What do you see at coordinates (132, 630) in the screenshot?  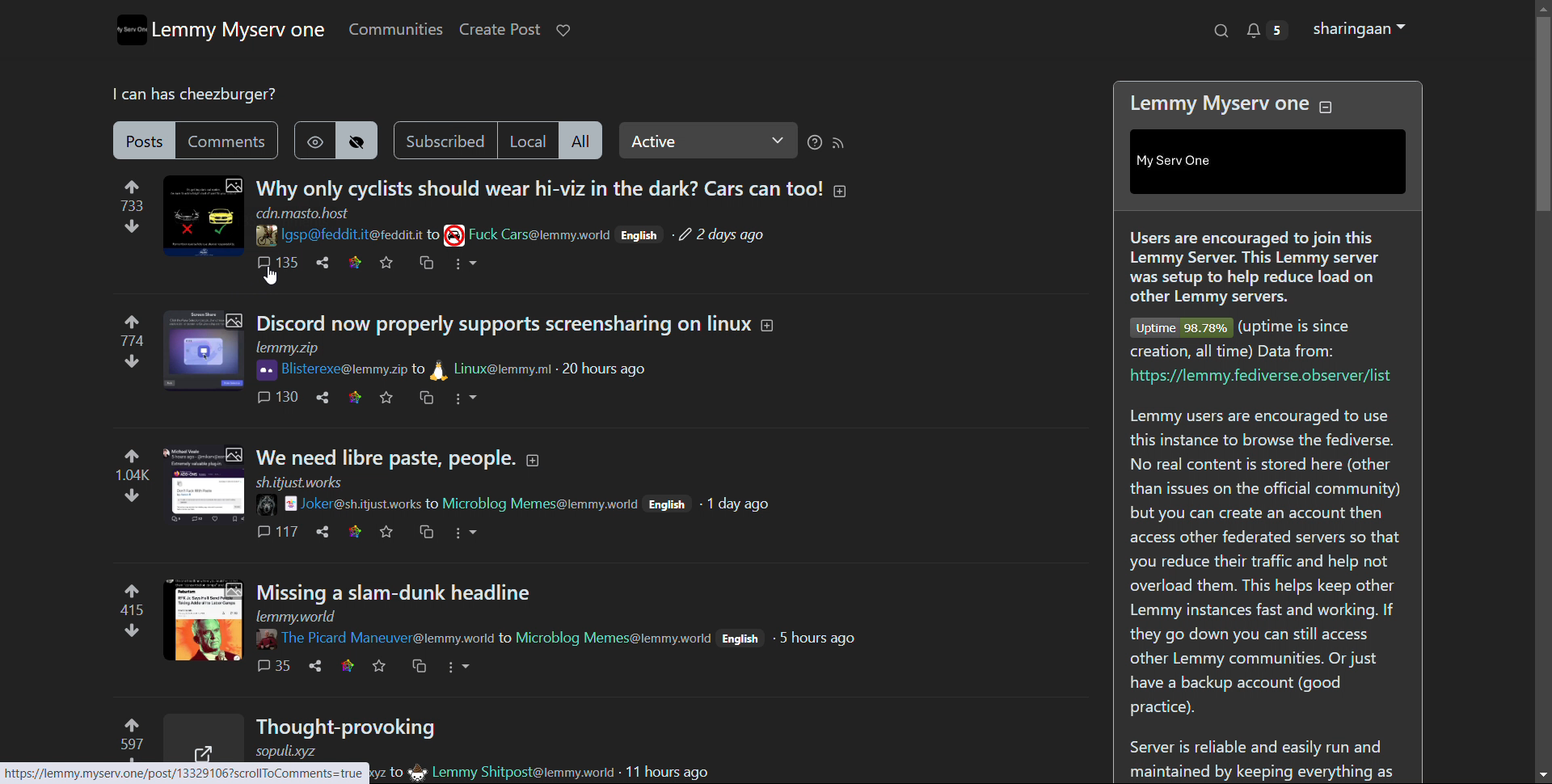 I see `downvote` at bounding box center [132, 630].